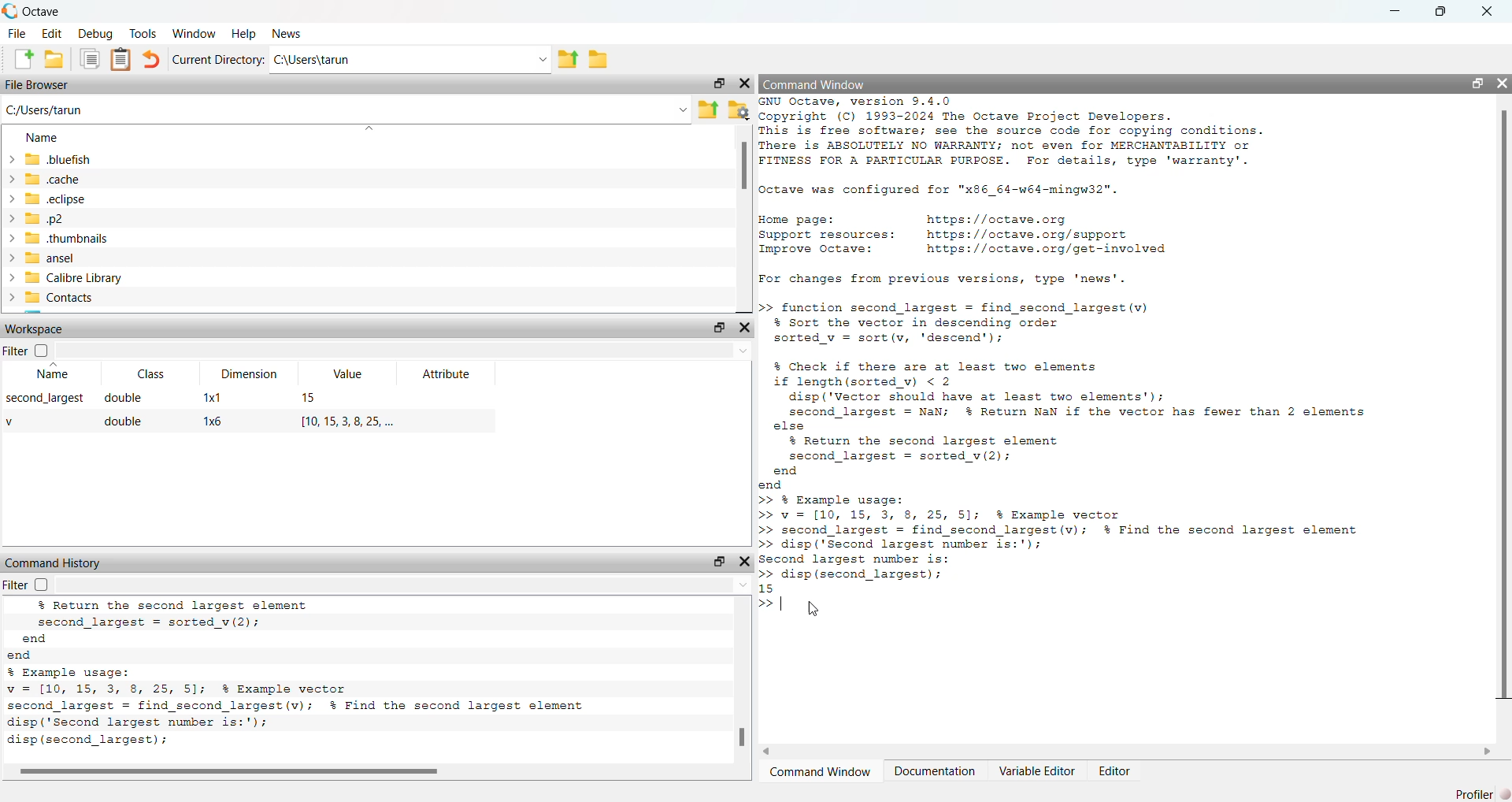 The image size is (1512, 802). What do you see at coordinates (406, 587) in the screenshot?
I see `filter input field` at bounding box center [406, 587].